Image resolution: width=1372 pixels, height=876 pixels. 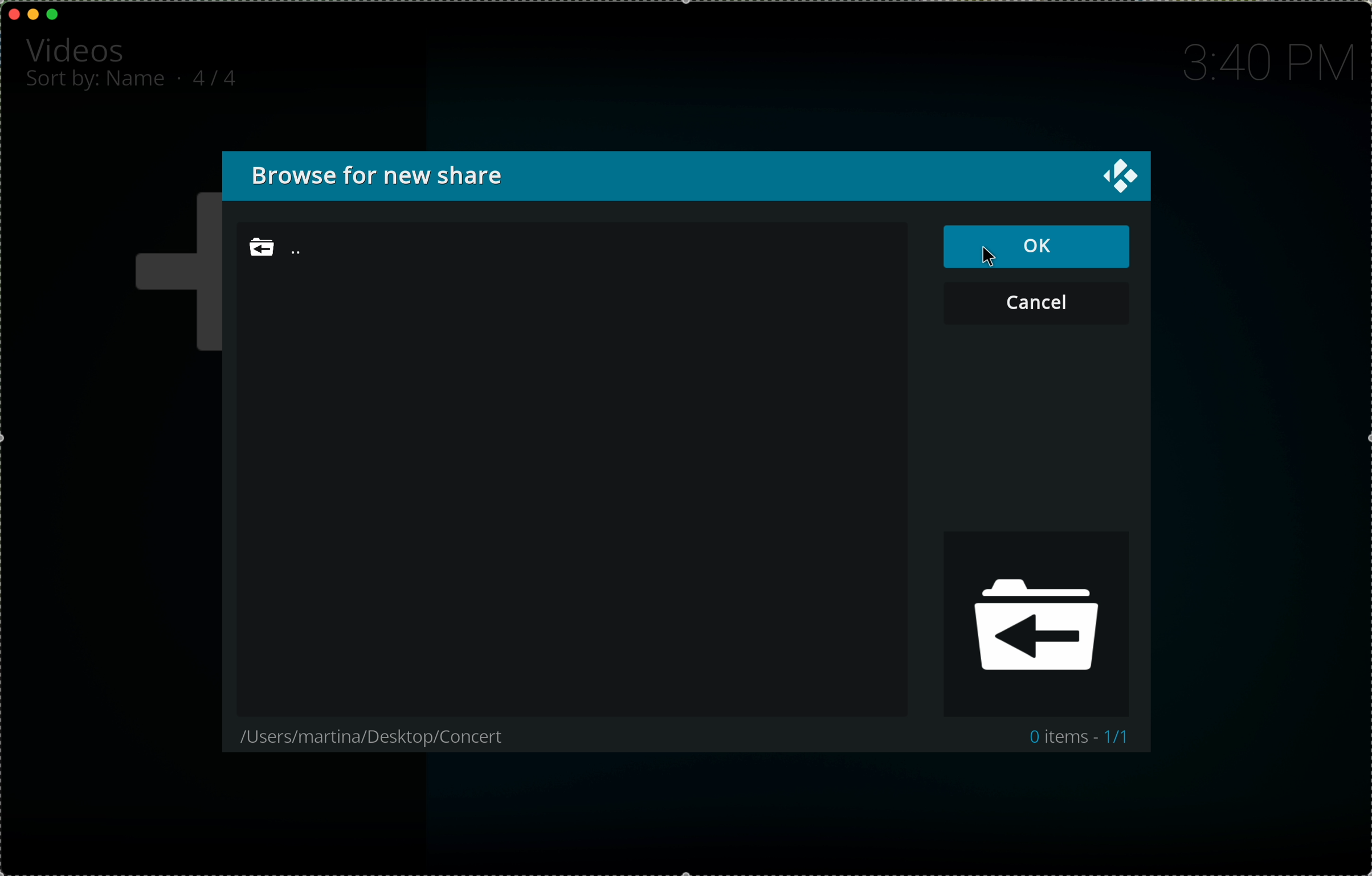 I want to click on file path, so click(x=378, y=737).